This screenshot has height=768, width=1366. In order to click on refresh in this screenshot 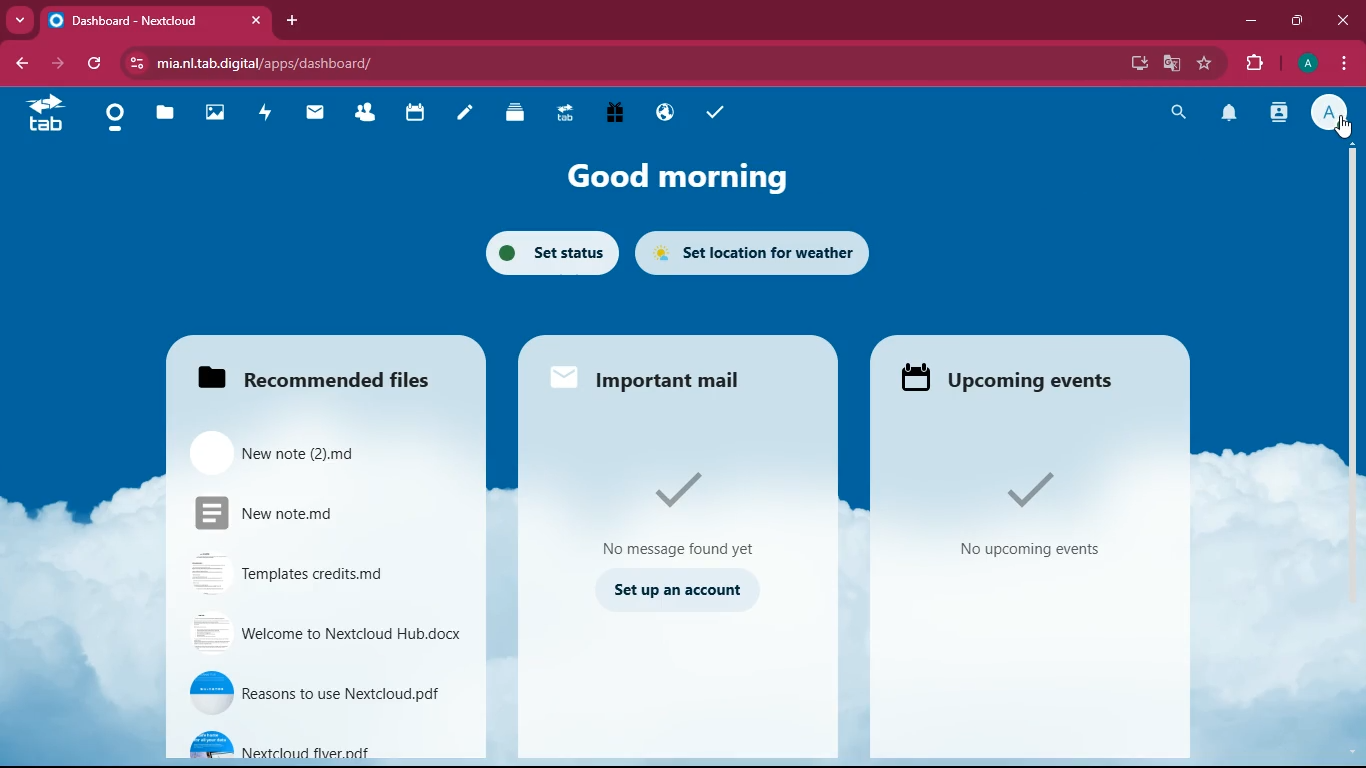, I will do `click(94, 64)`.